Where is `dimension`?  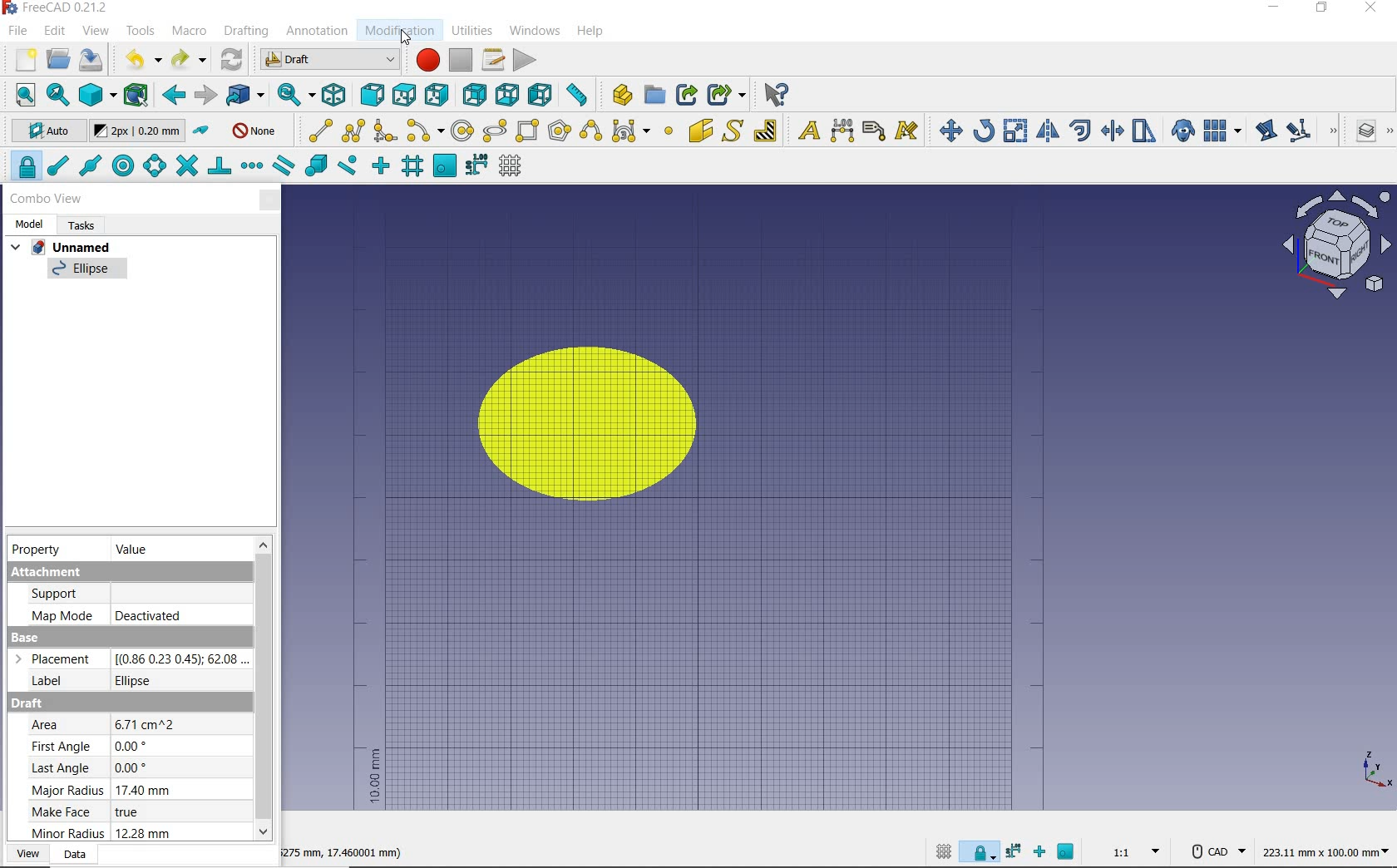 dimension is located at coordinates (842, 131).